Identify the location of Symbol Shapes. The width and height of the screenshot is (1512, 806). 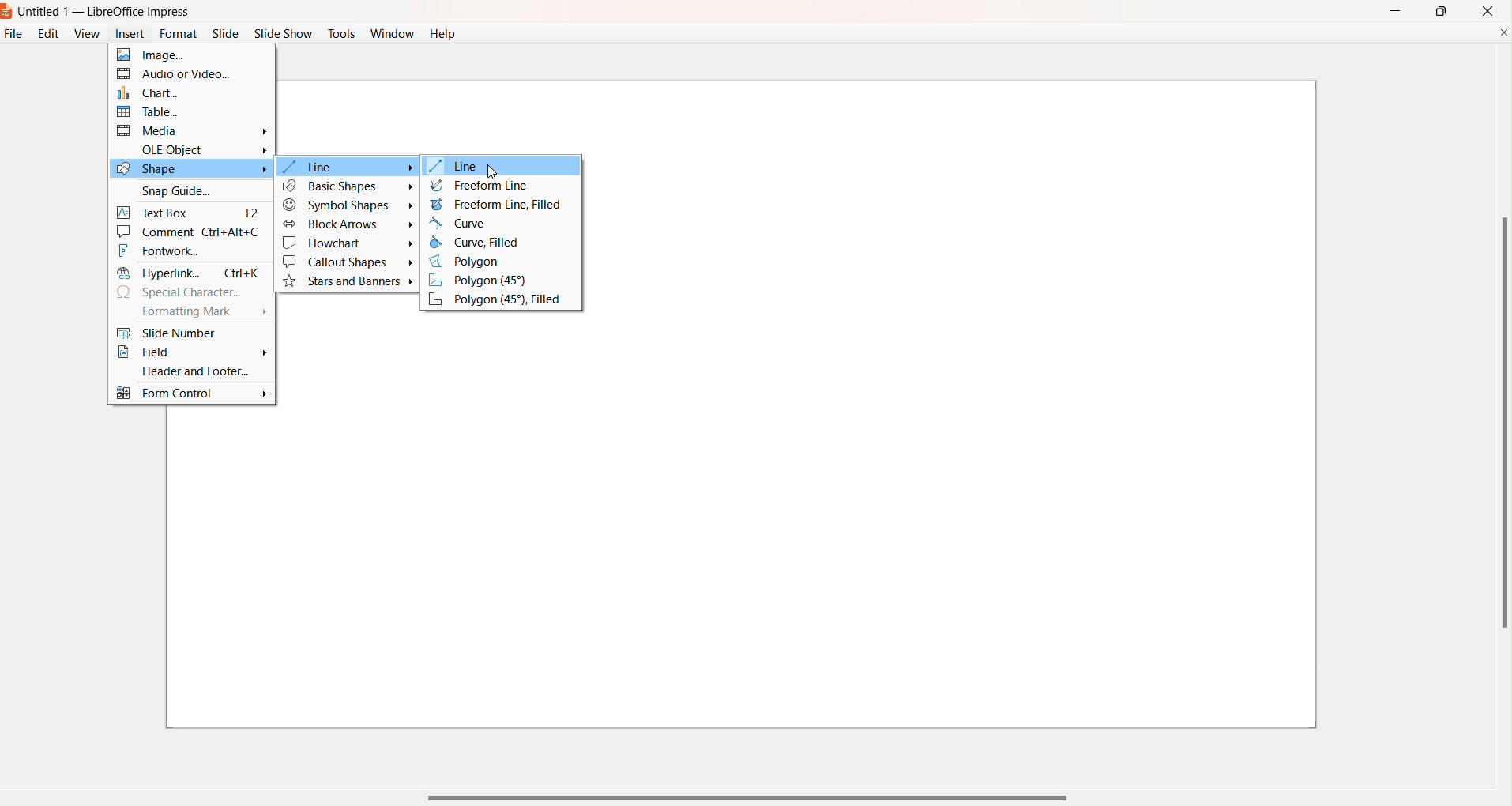
(348, 206).